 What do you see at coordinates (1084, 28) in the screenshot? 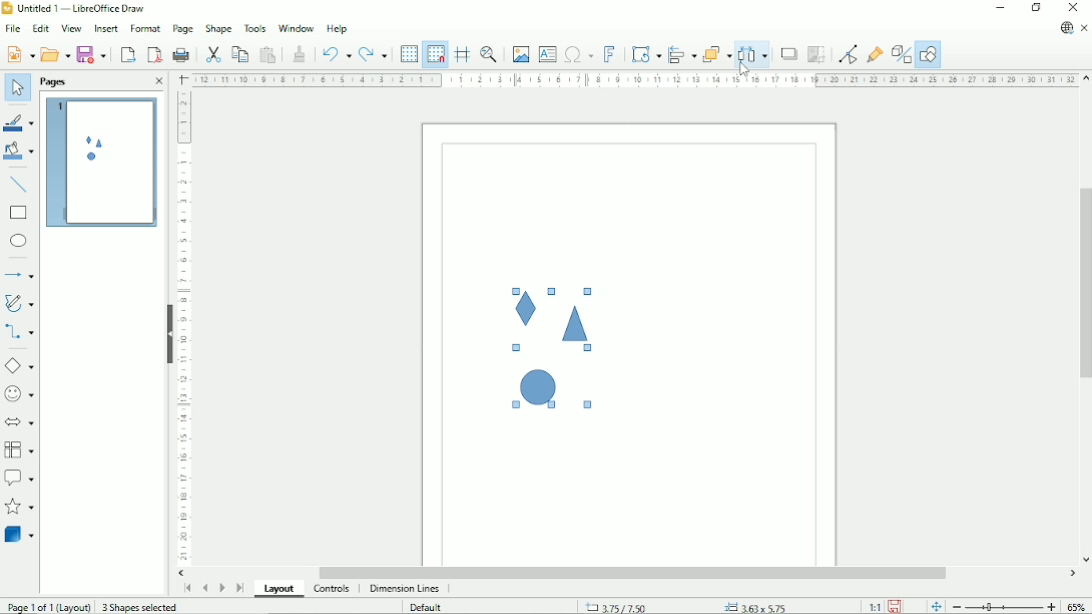
I see `Close document` at bounding box center [1084, 28].